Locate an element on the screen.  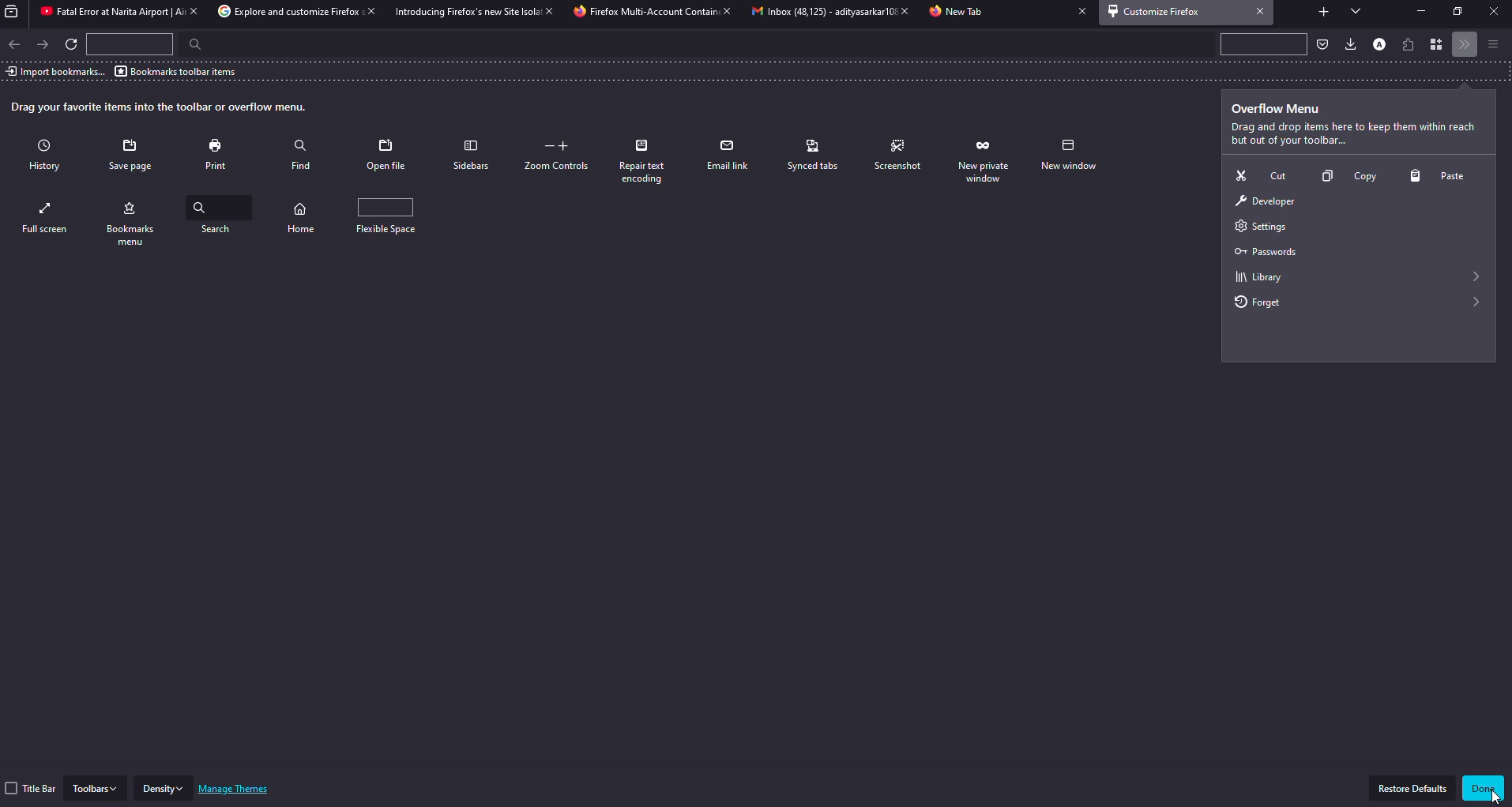
open file is located at coordinates (388, 155).